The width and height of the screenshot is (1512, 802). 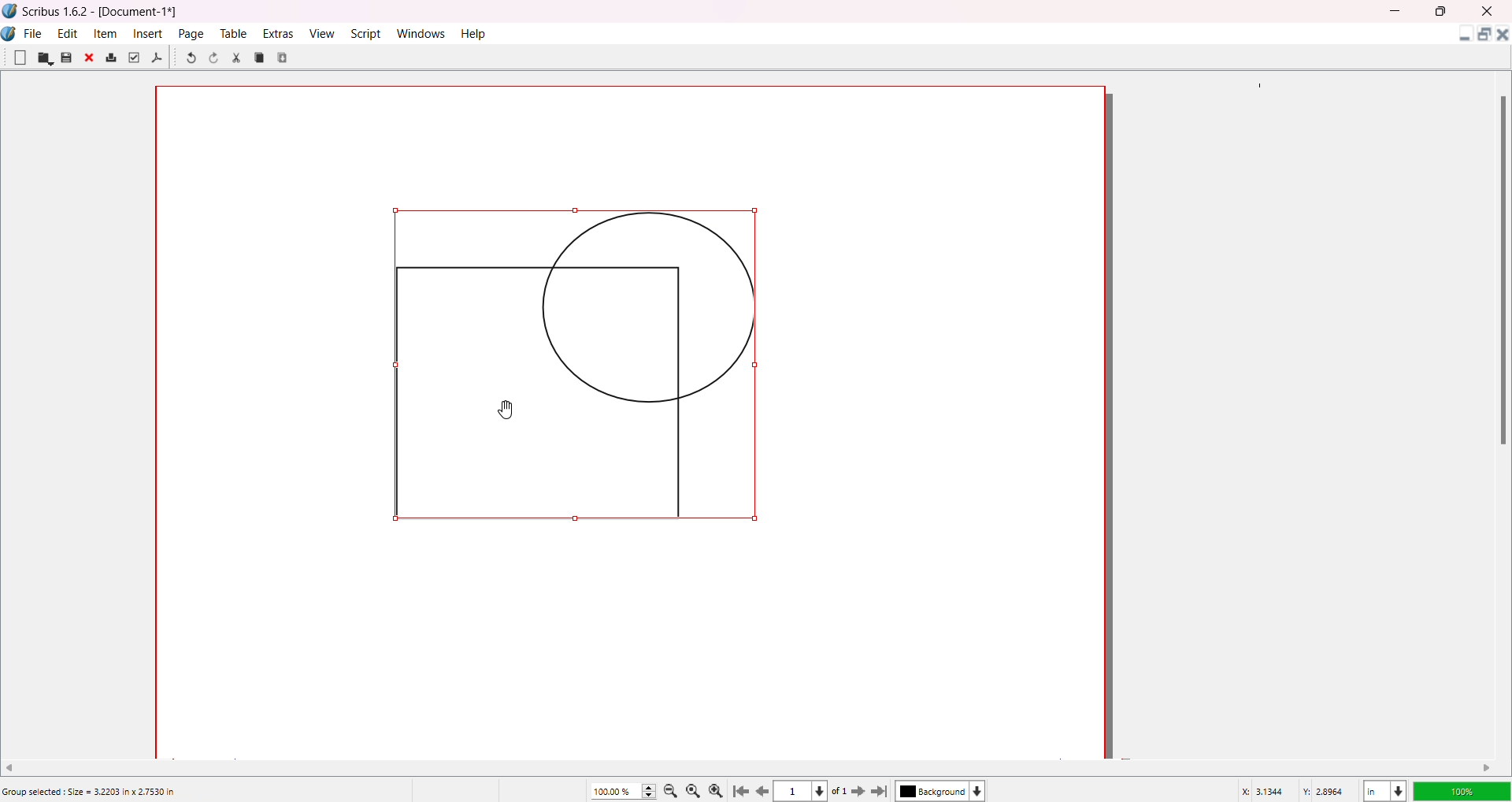 I want to click on Unit, so click(x=1384, y=789).